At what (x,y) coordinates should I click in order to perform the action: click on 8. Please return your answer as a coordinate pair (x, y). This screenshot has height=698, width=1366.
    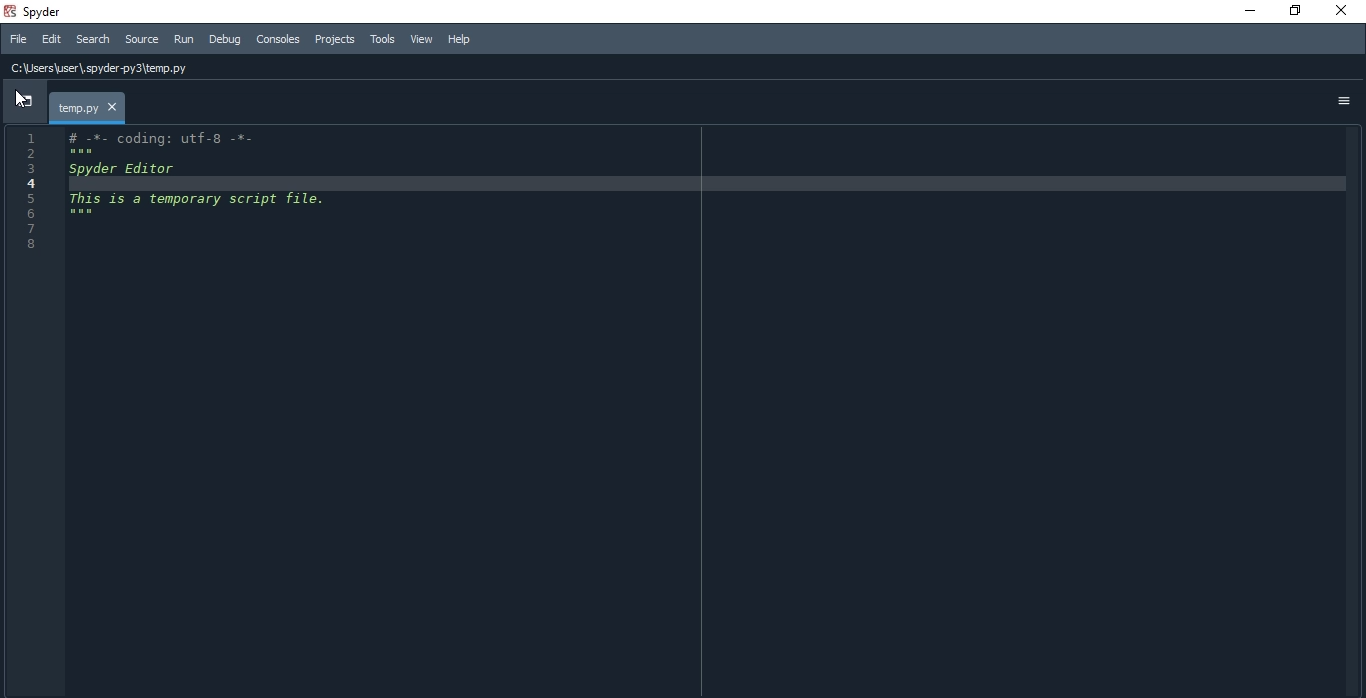
    Looking at the image, I should click on (35, 243).